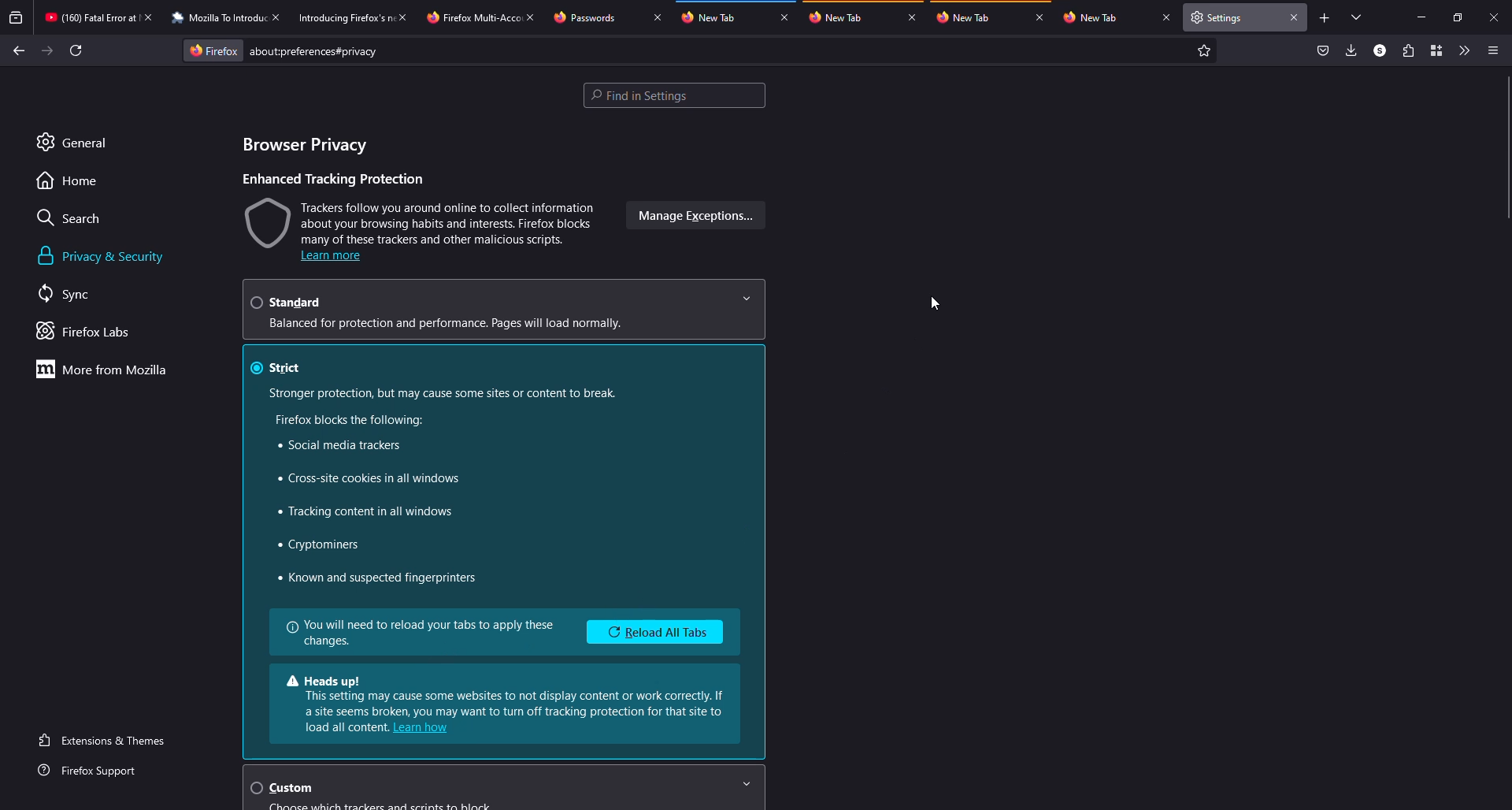 Image resolution: width=1512 pixels, height=810 pixels. Describe the element at coordinates (74, 143) in the screenshot. I see `general` at that location.